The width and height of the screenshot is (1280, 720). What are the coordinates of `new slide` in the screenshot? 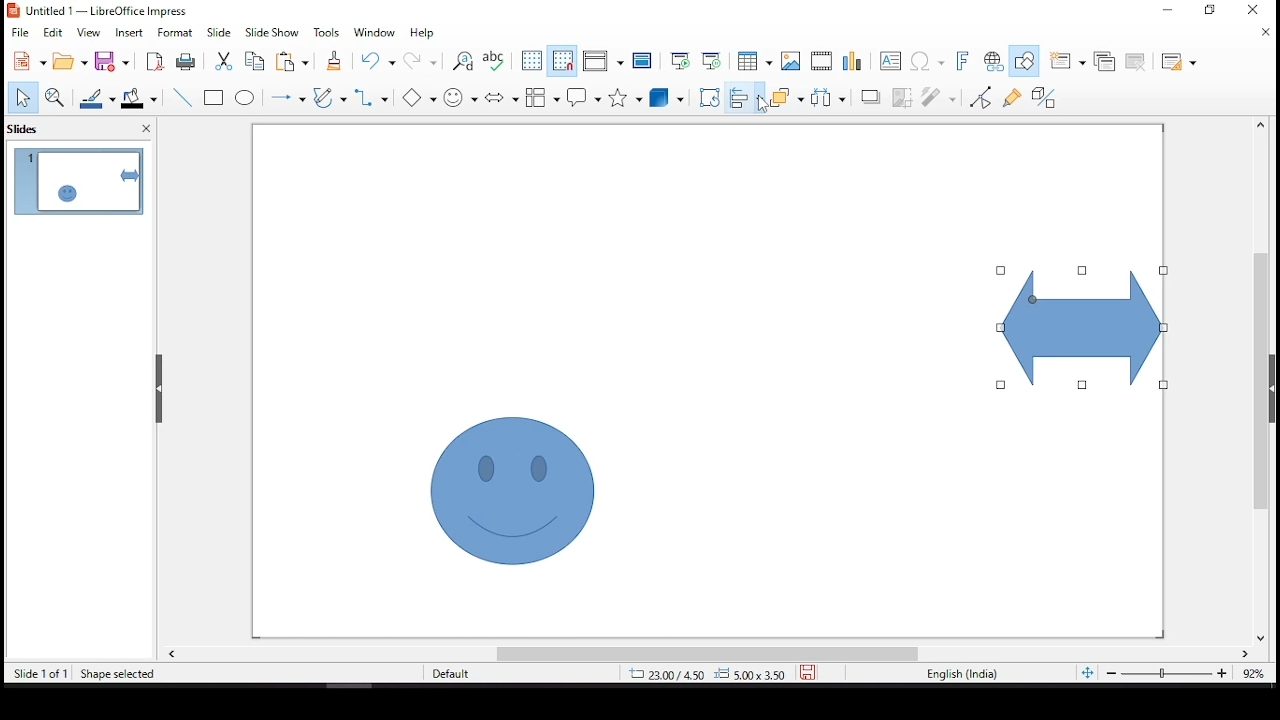 It's located at (1065, 61).